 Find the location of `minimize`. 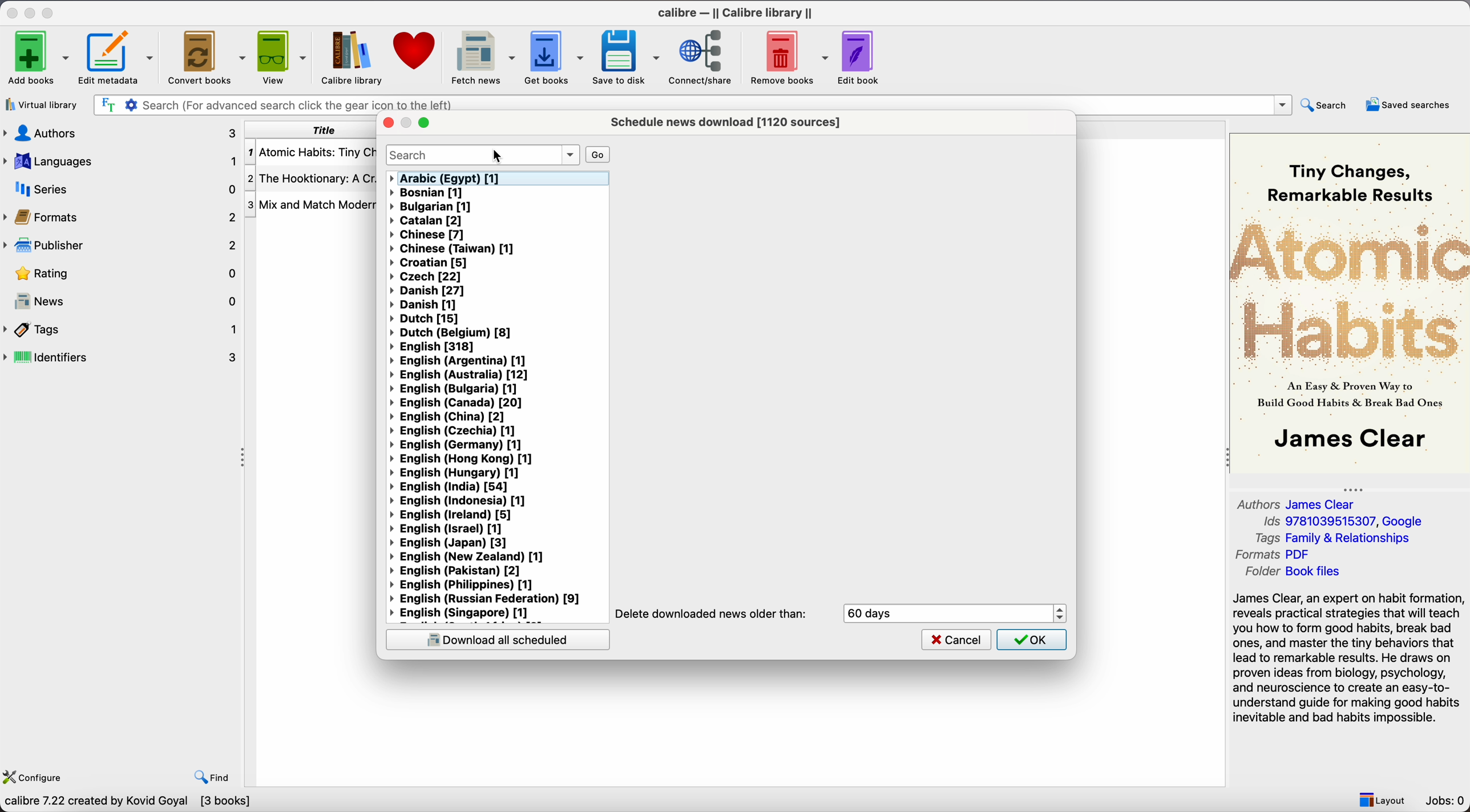

minimize is located at coordinates (32, 11).